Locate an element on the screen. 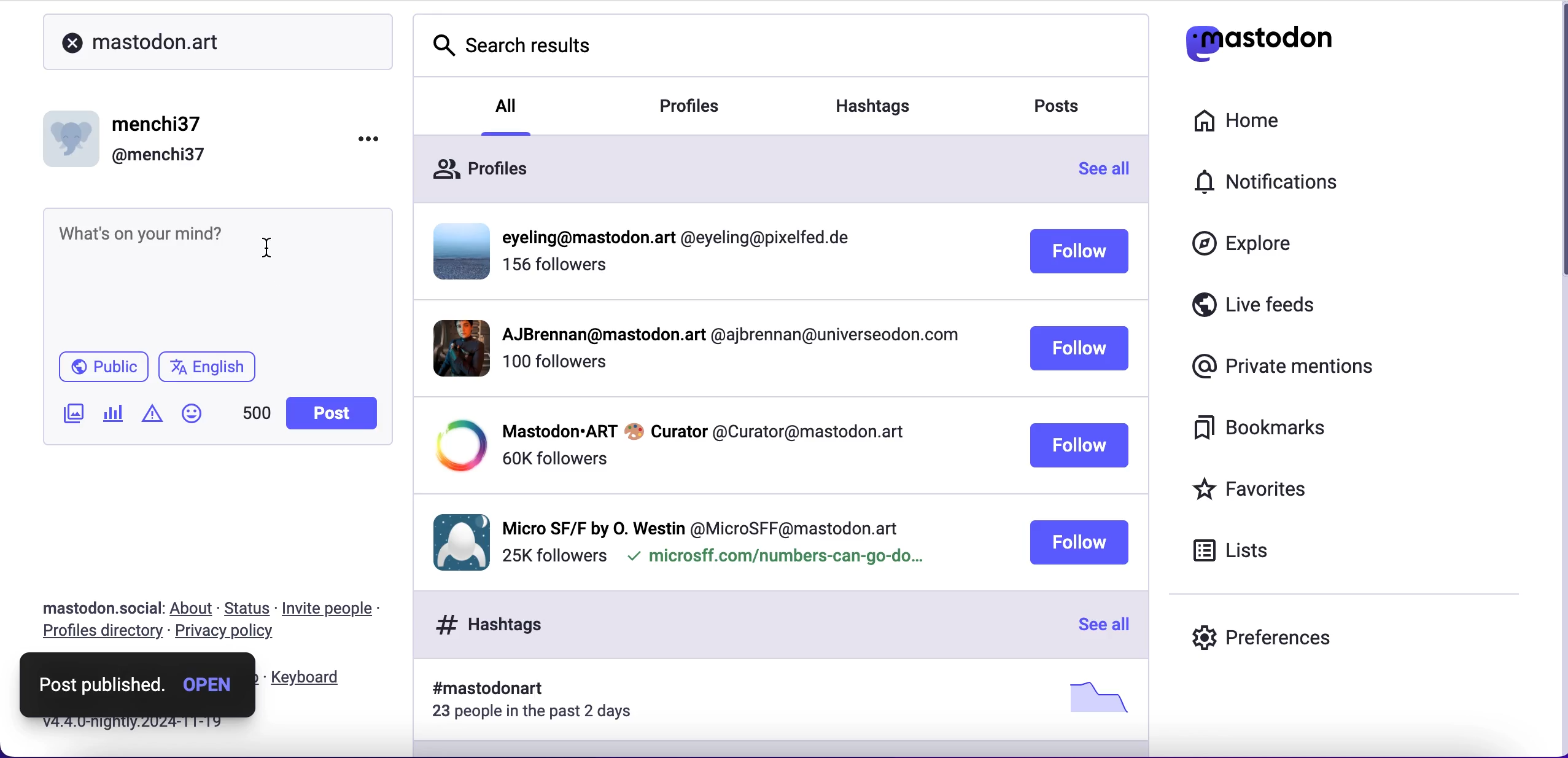  posts is located at coordinates (1068, 109).